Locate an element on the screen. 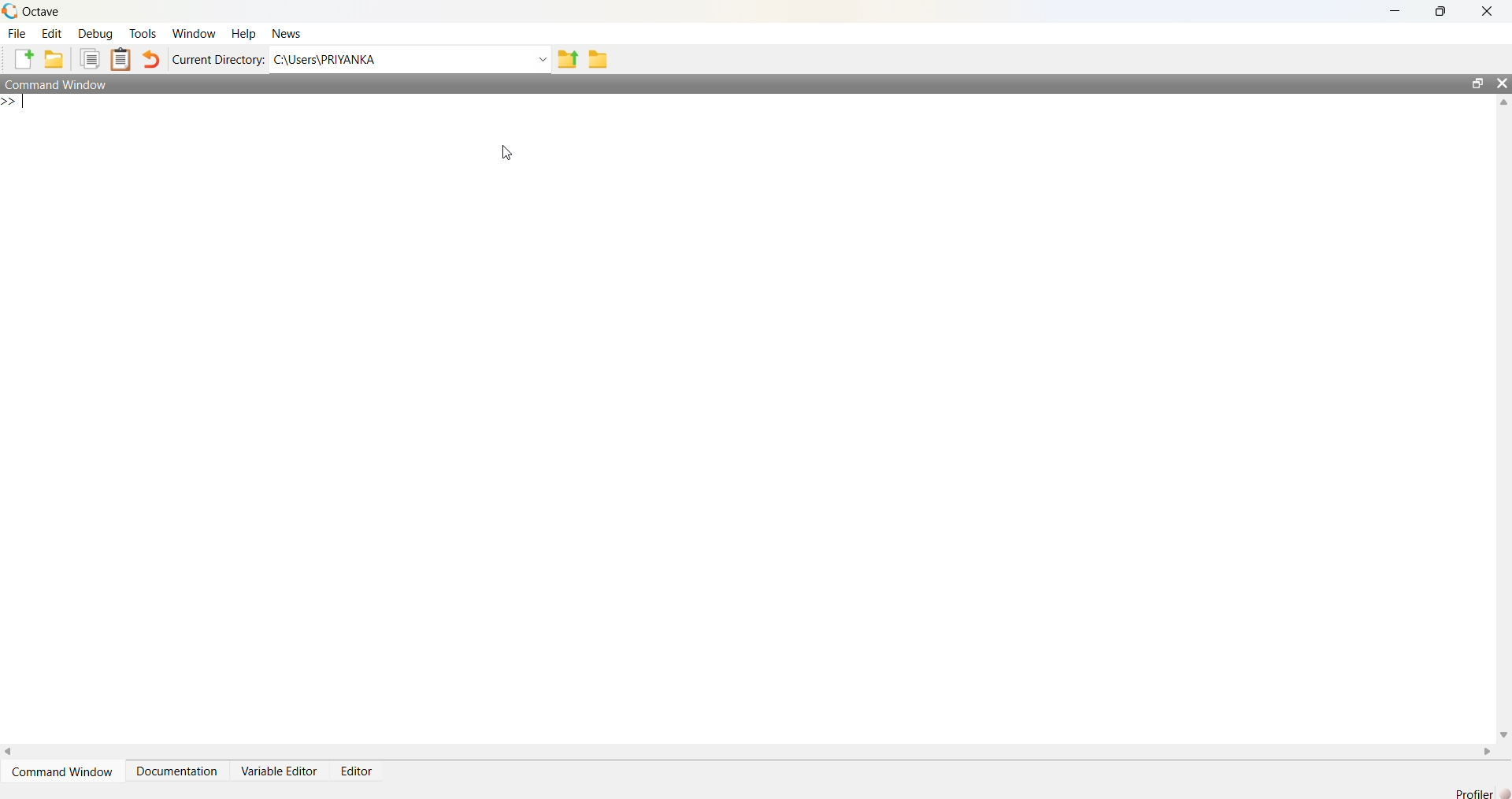 Image resolution: width=1512 pixels, height=799 pixels. C:/Users/PRIYANKA is located at coordinates (396, 59).